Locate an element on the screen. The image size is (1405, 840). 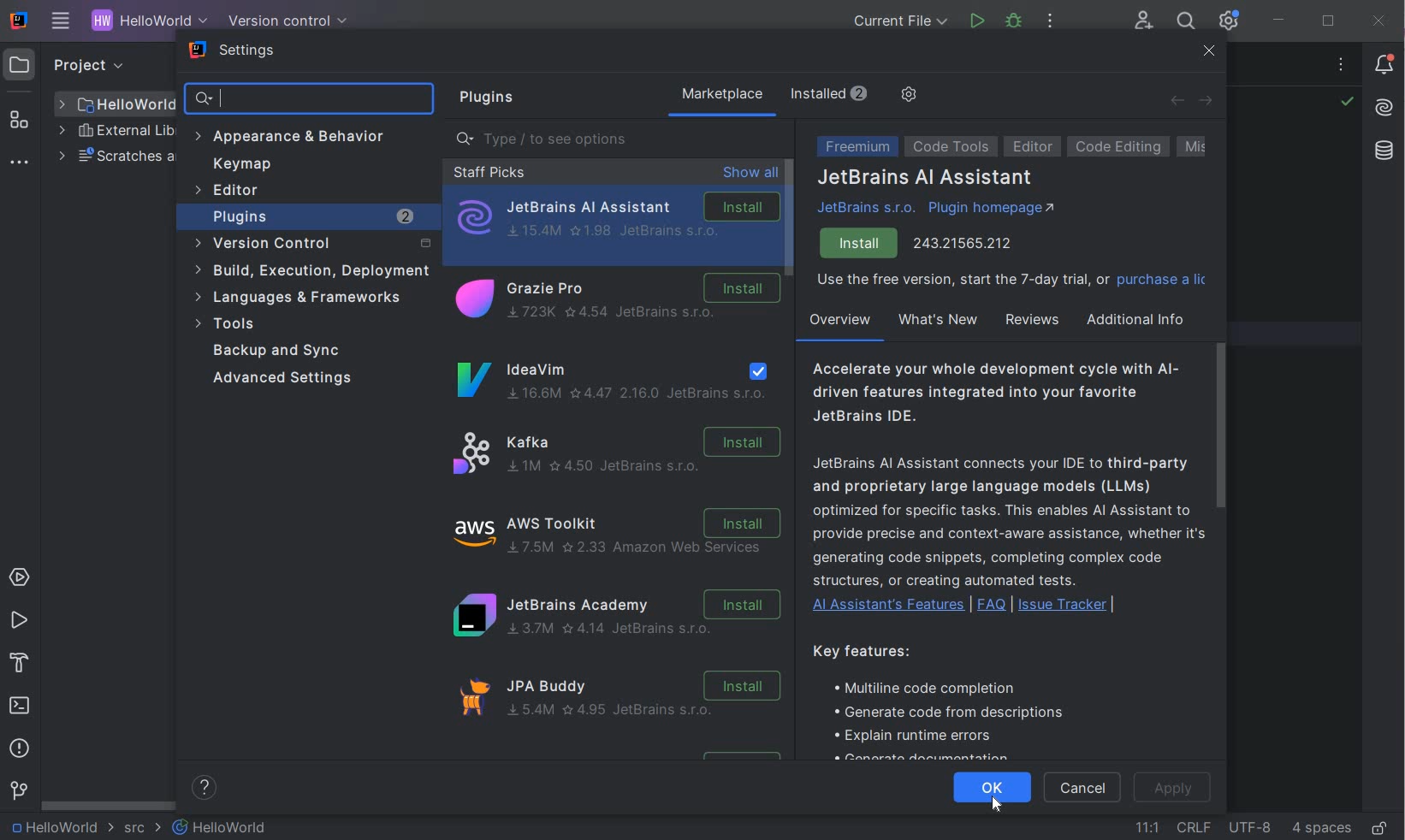
apply is located at coordinates (1177, 790).